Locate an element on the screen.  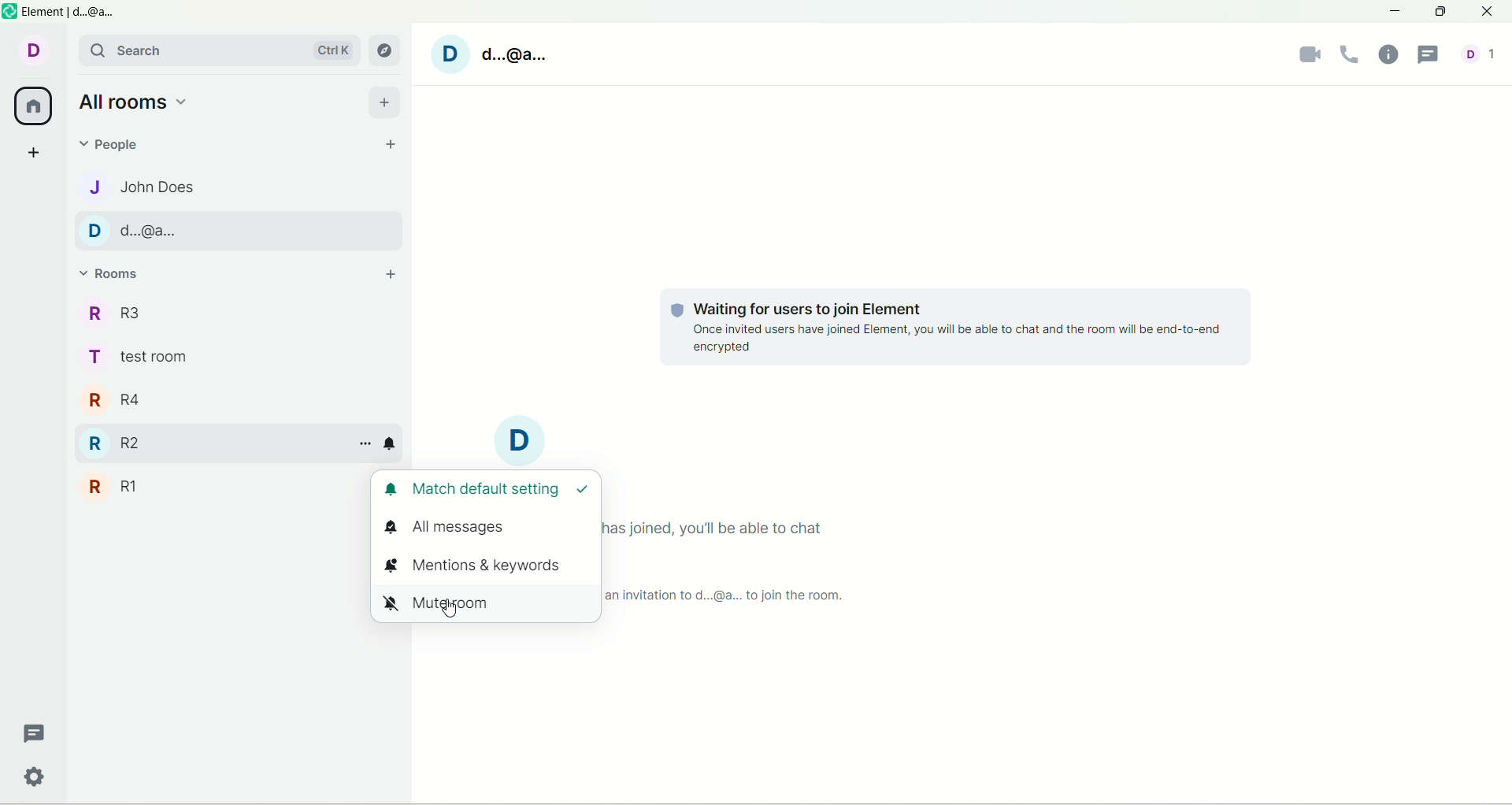
mute rooms is located at coordinates (492, 602).